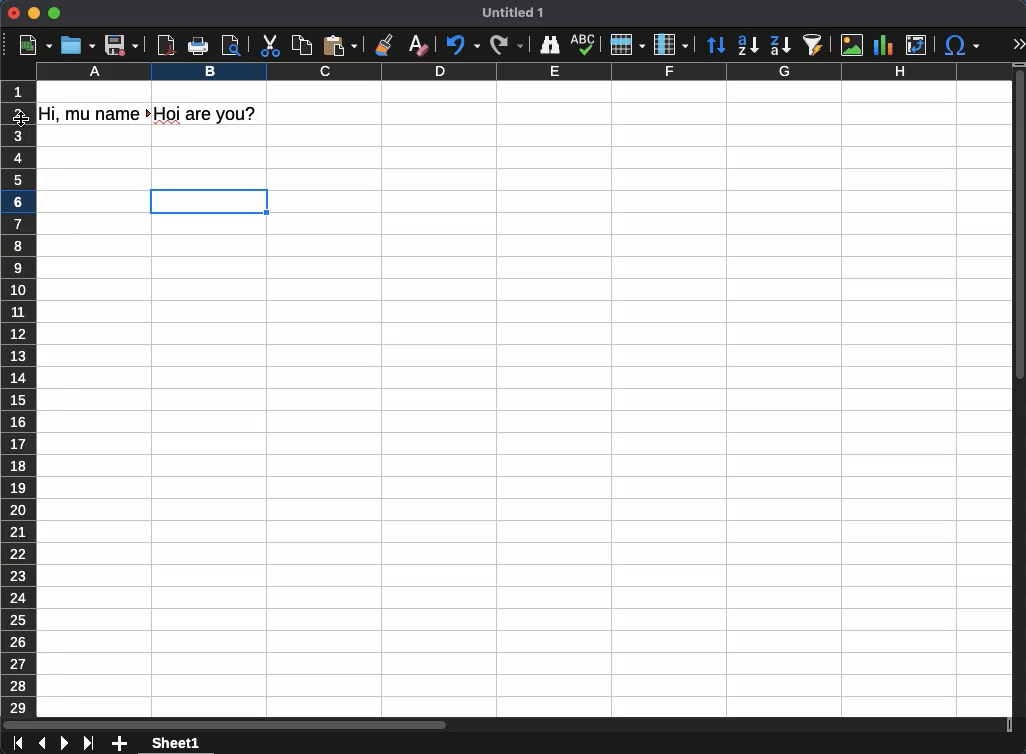 The image size is (1026, 754). What do you see at coordinates (748, 45) in the screenshot?
I see `ascending` at bounding box center [748, 45].